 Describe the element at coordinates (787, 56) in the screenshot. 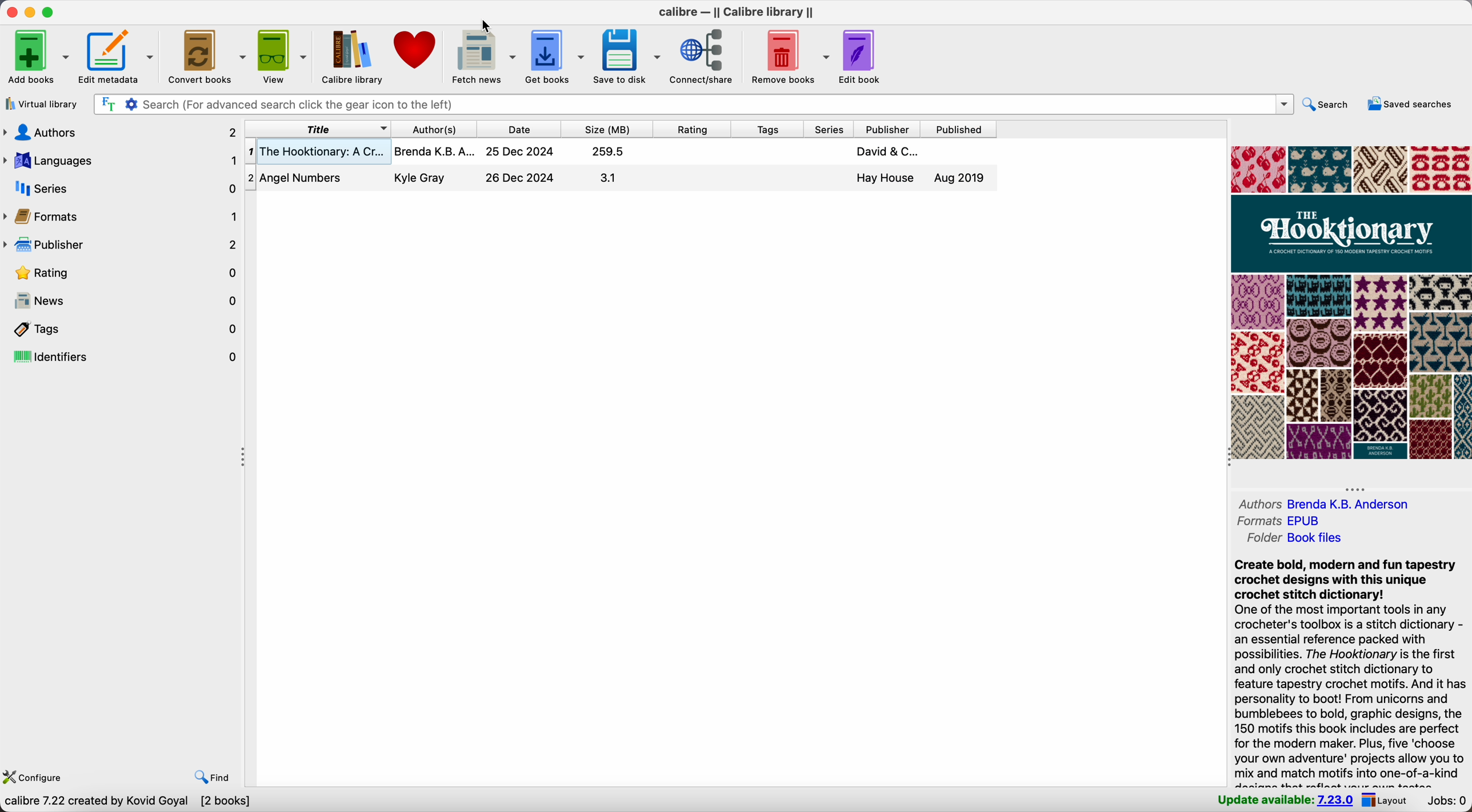

I see `remove books` at that location.